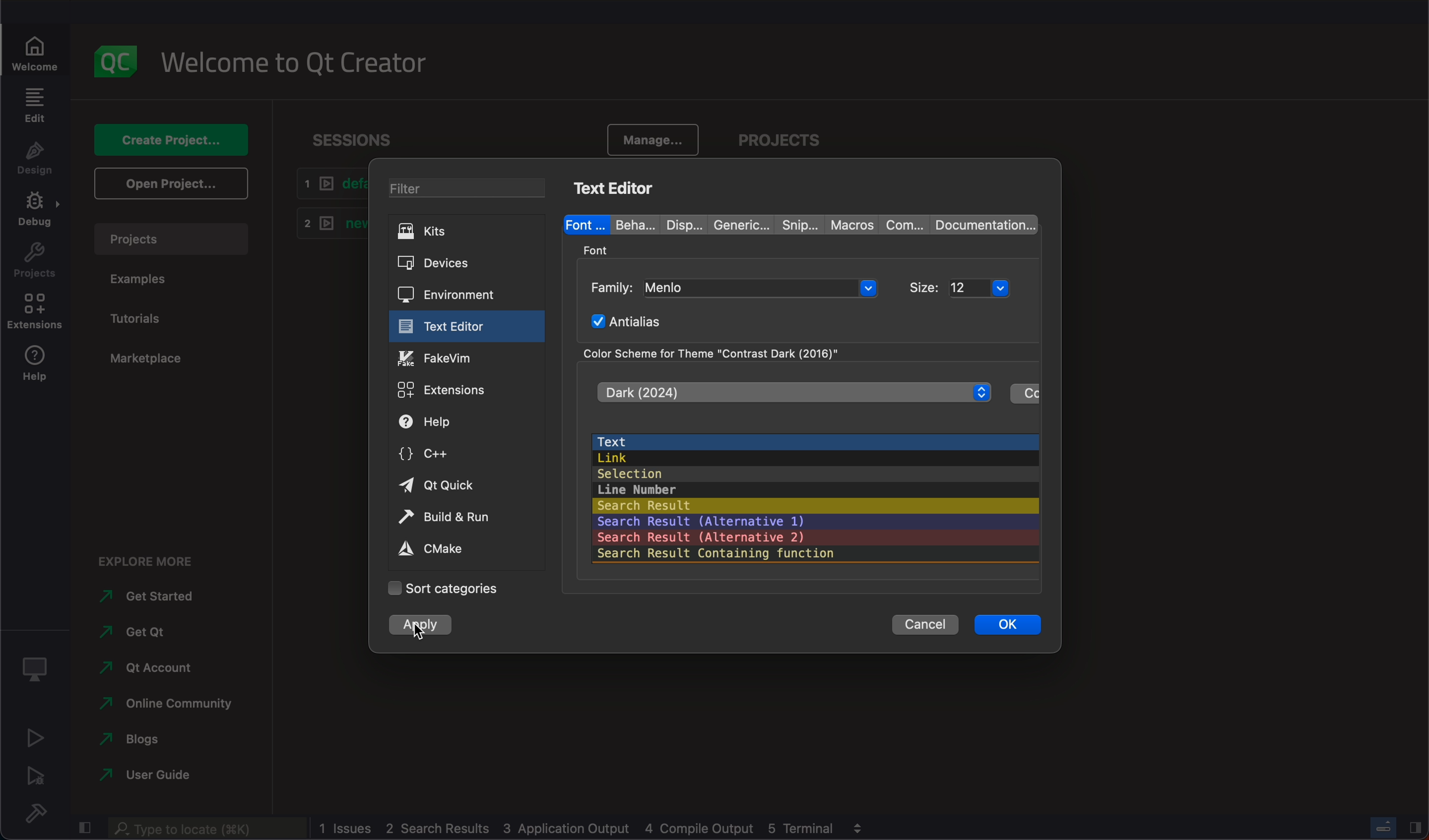  Describe the element at coordinates (39, 369) in the screenshot. I see `help` at that location.